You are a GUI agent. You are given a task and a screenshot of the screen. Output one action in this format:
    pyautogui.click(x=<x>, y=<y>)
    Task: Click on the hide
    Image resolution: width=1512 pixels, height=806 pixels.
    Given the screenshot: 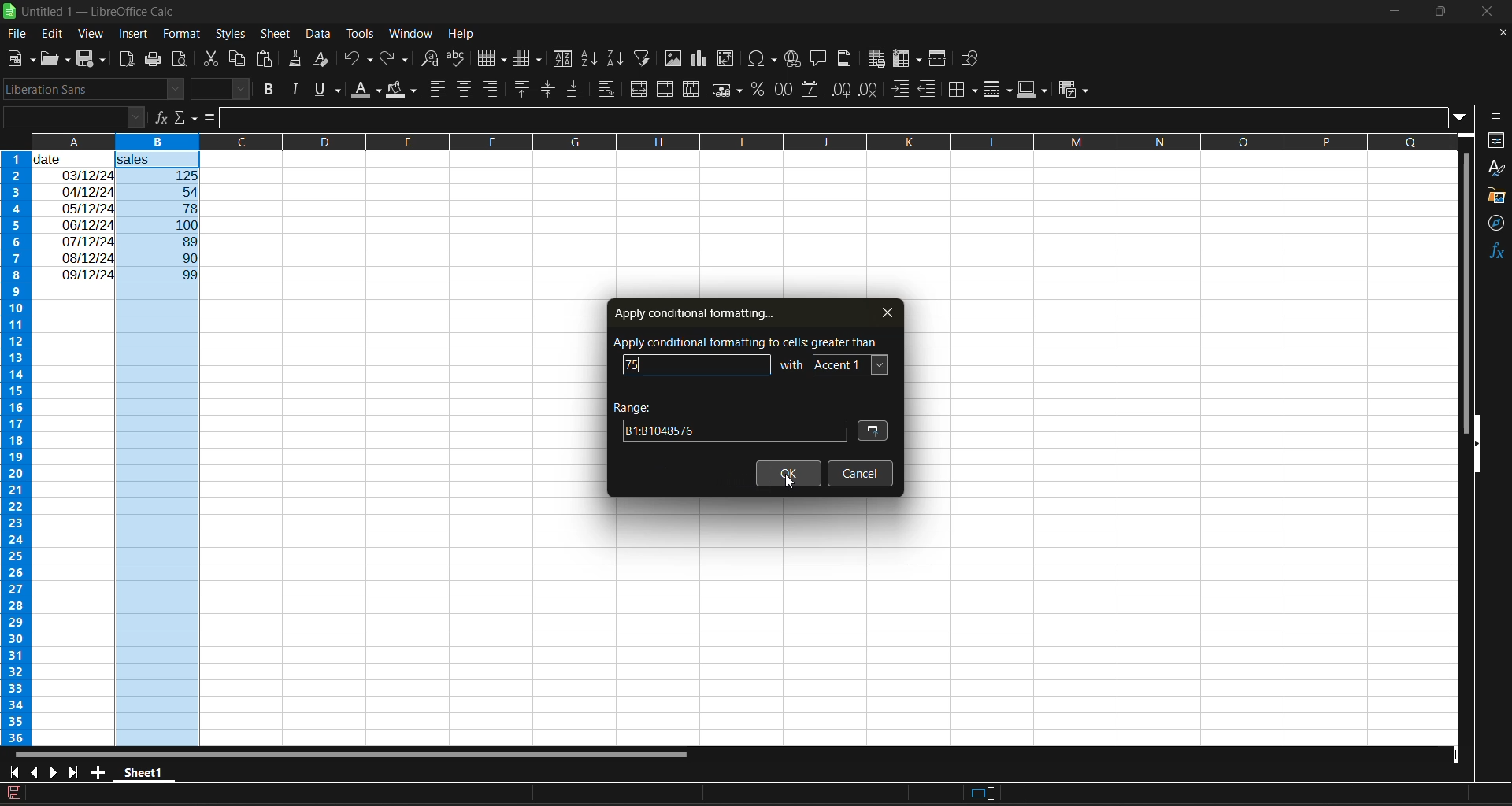 What is the action you would take?
    pyautogui.click(x=1478, y=444)
    